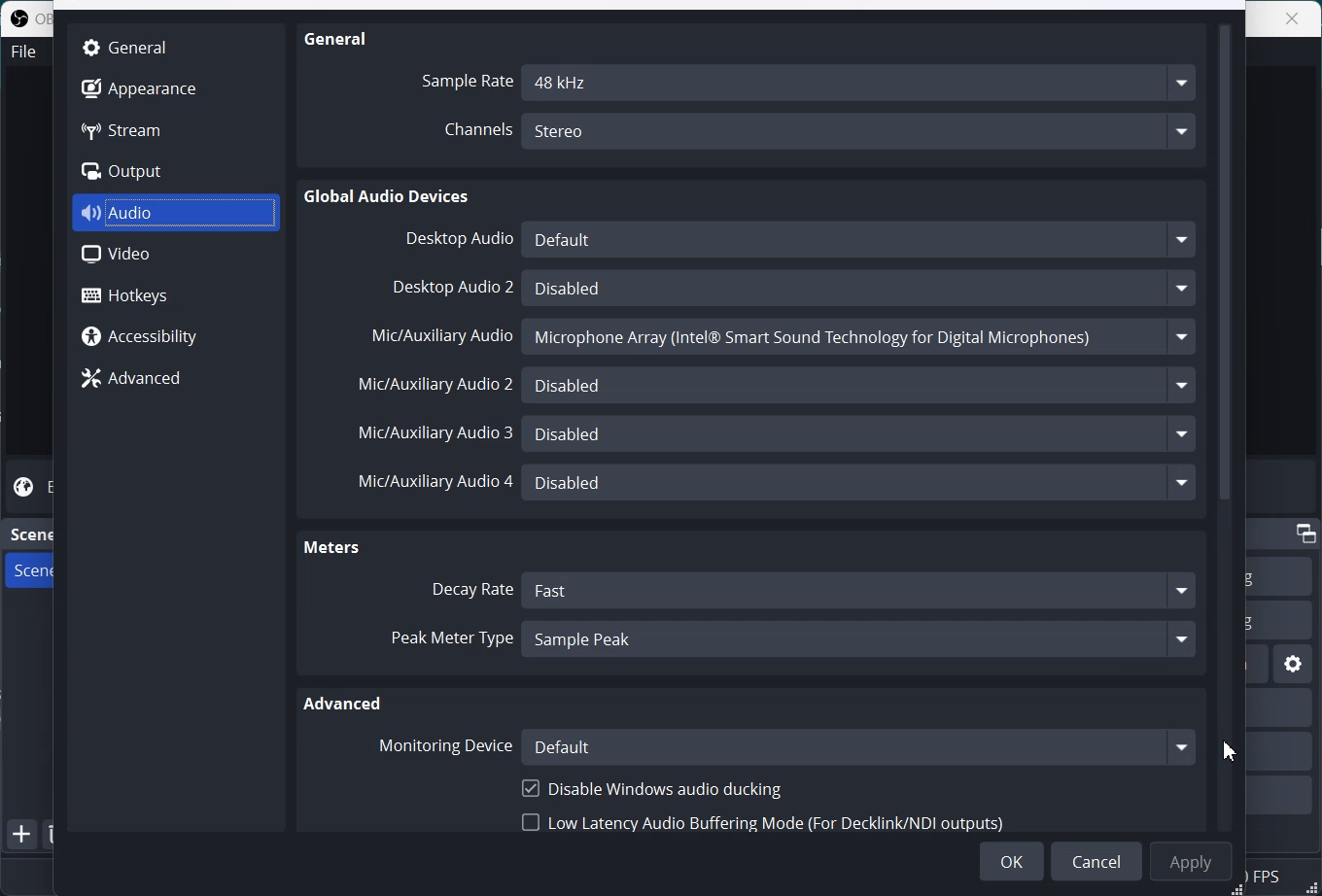 This screenshot has height=896, width=1322. I want to click on Disabled, so click(860, 288).